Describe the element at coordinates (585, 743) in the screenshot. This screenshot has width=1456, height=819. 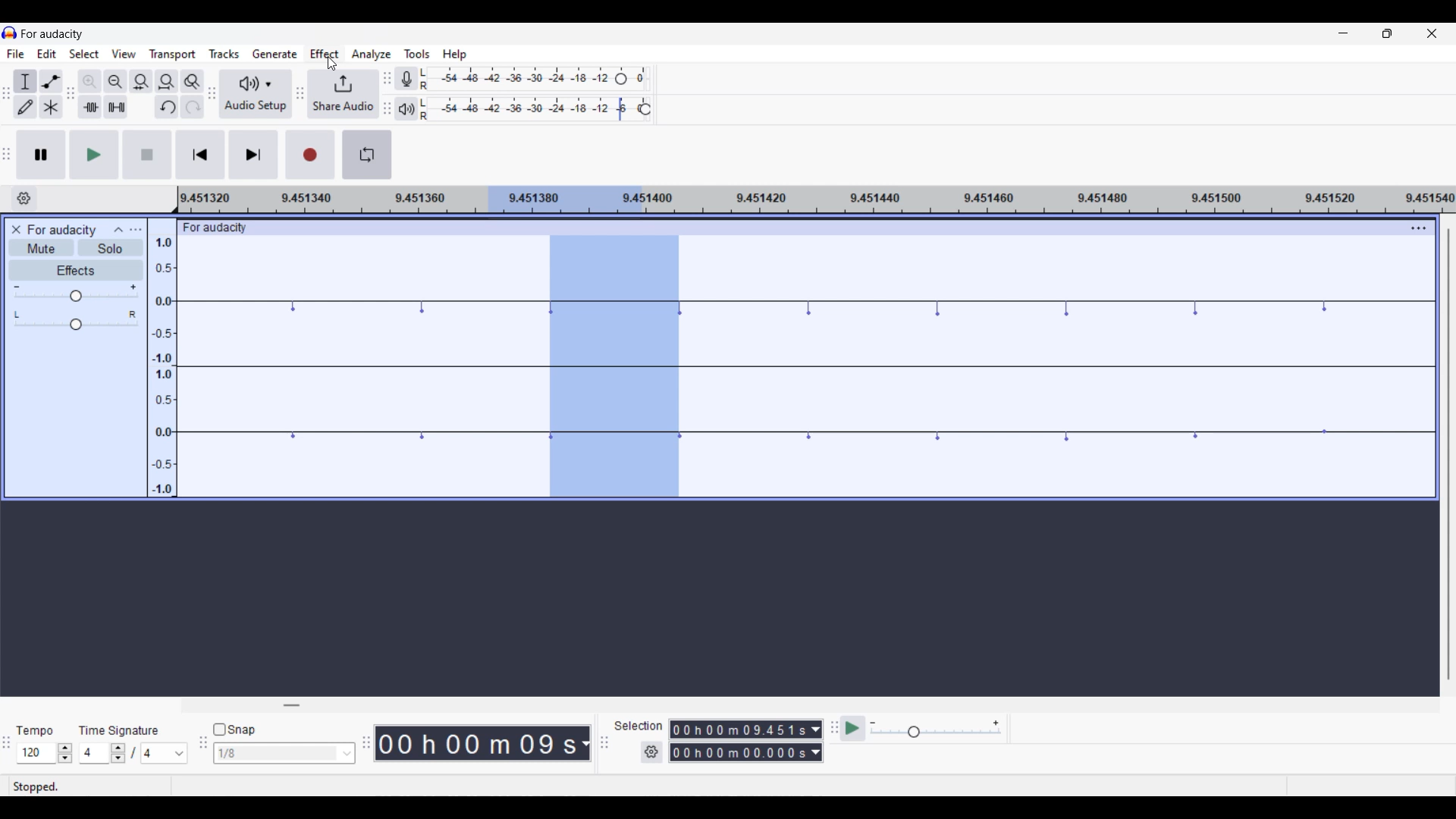
I see `Current track measurement` at that location.